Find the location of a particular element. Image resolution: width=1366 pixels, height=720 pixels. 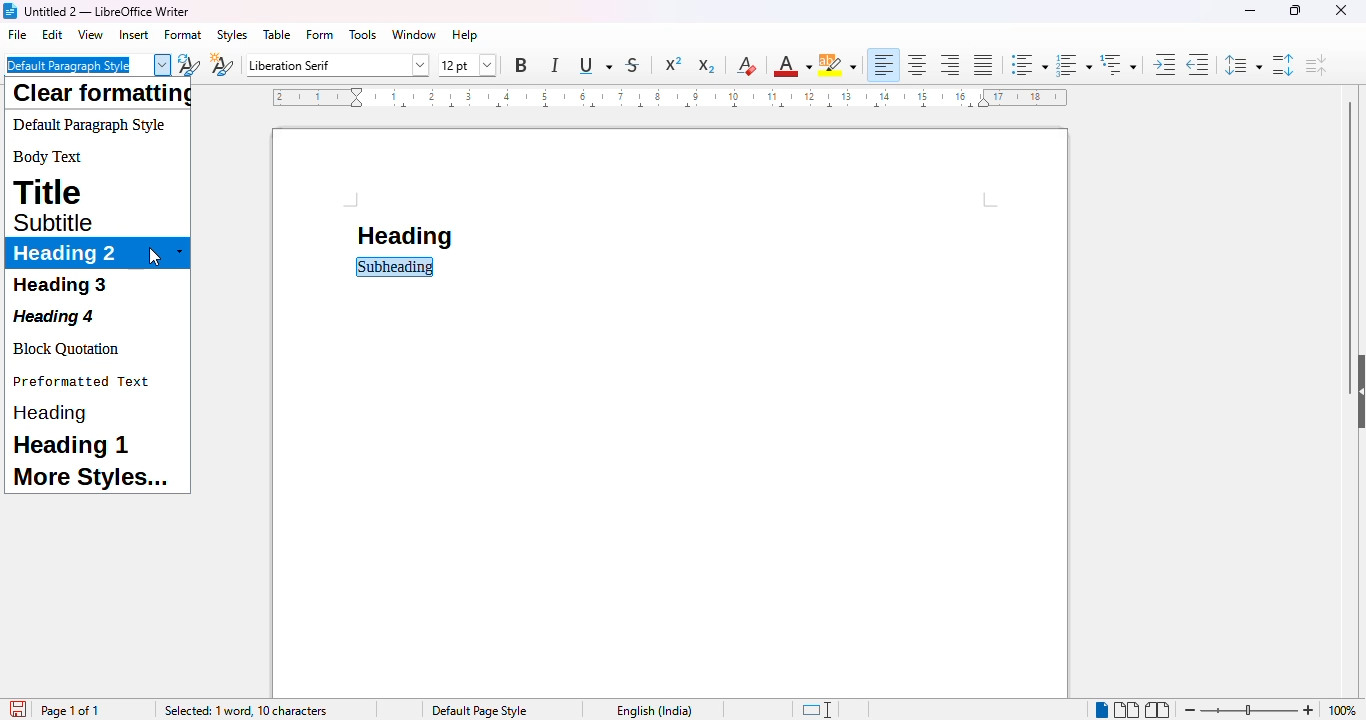

title is located at coordinates (50, 191).